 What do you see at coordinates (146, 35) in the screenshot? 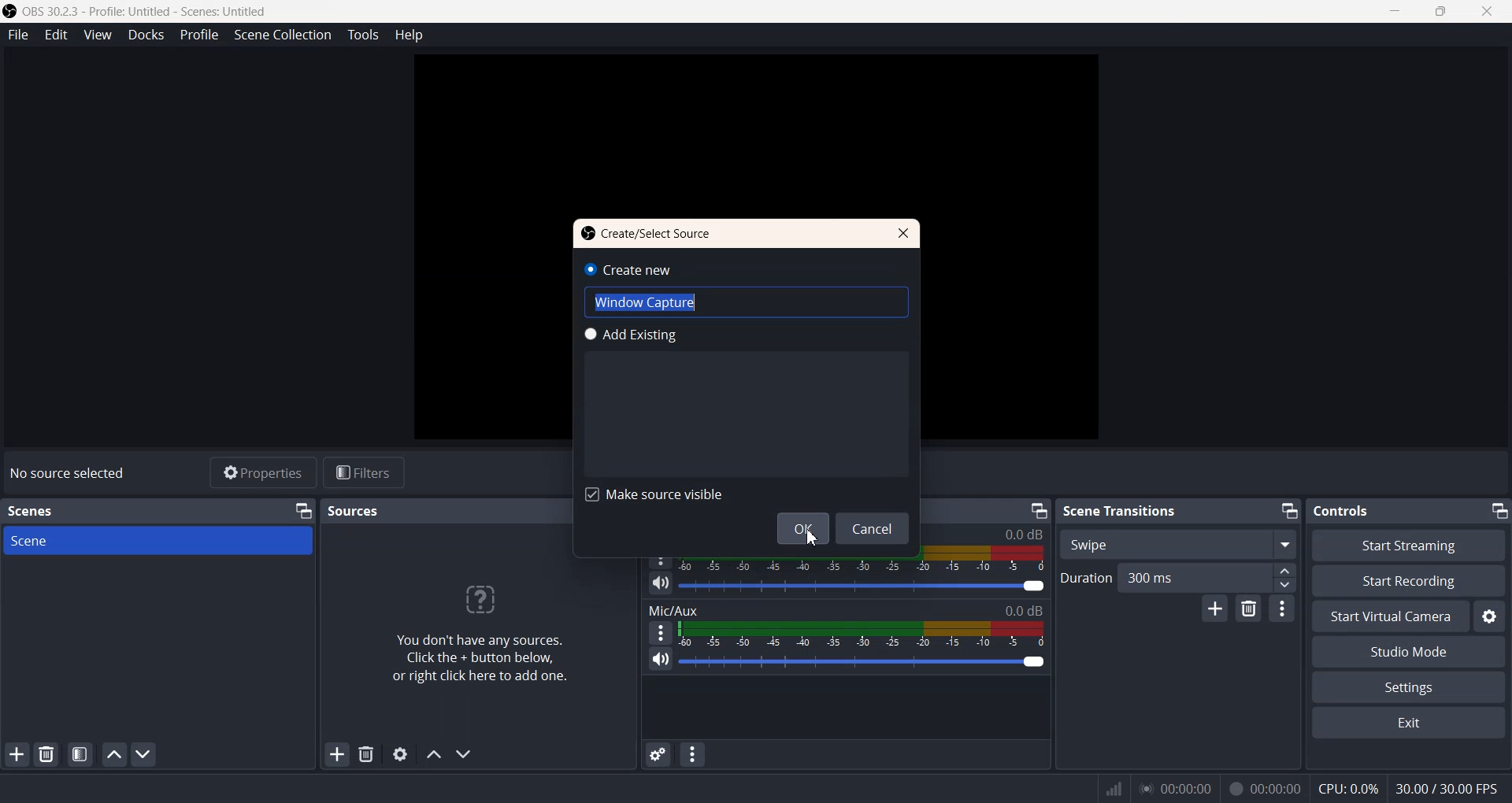
I see `Docks` at bounding box center [146, 35].